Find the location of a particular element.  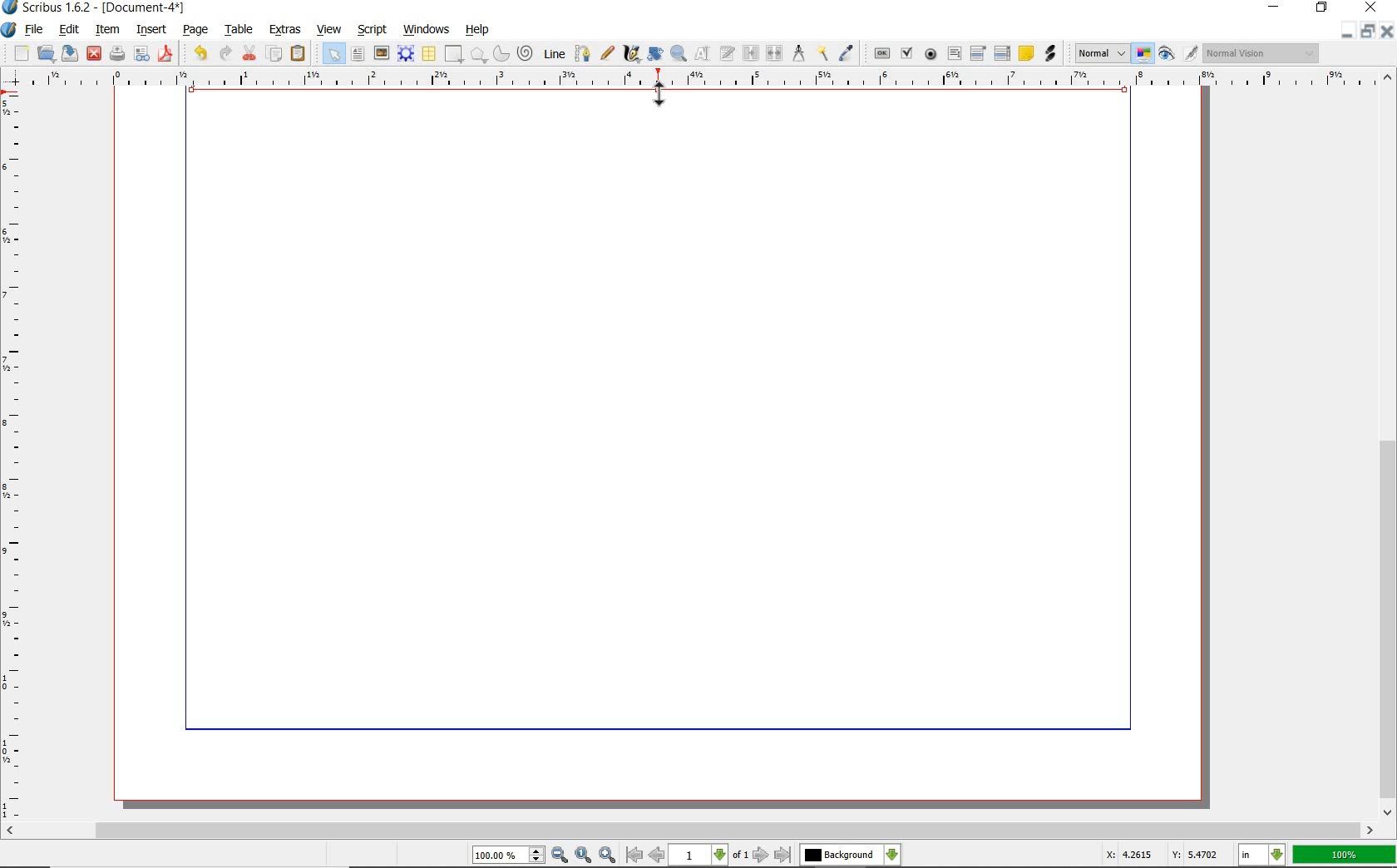

go to previous page is located at coordinates (658, 856).